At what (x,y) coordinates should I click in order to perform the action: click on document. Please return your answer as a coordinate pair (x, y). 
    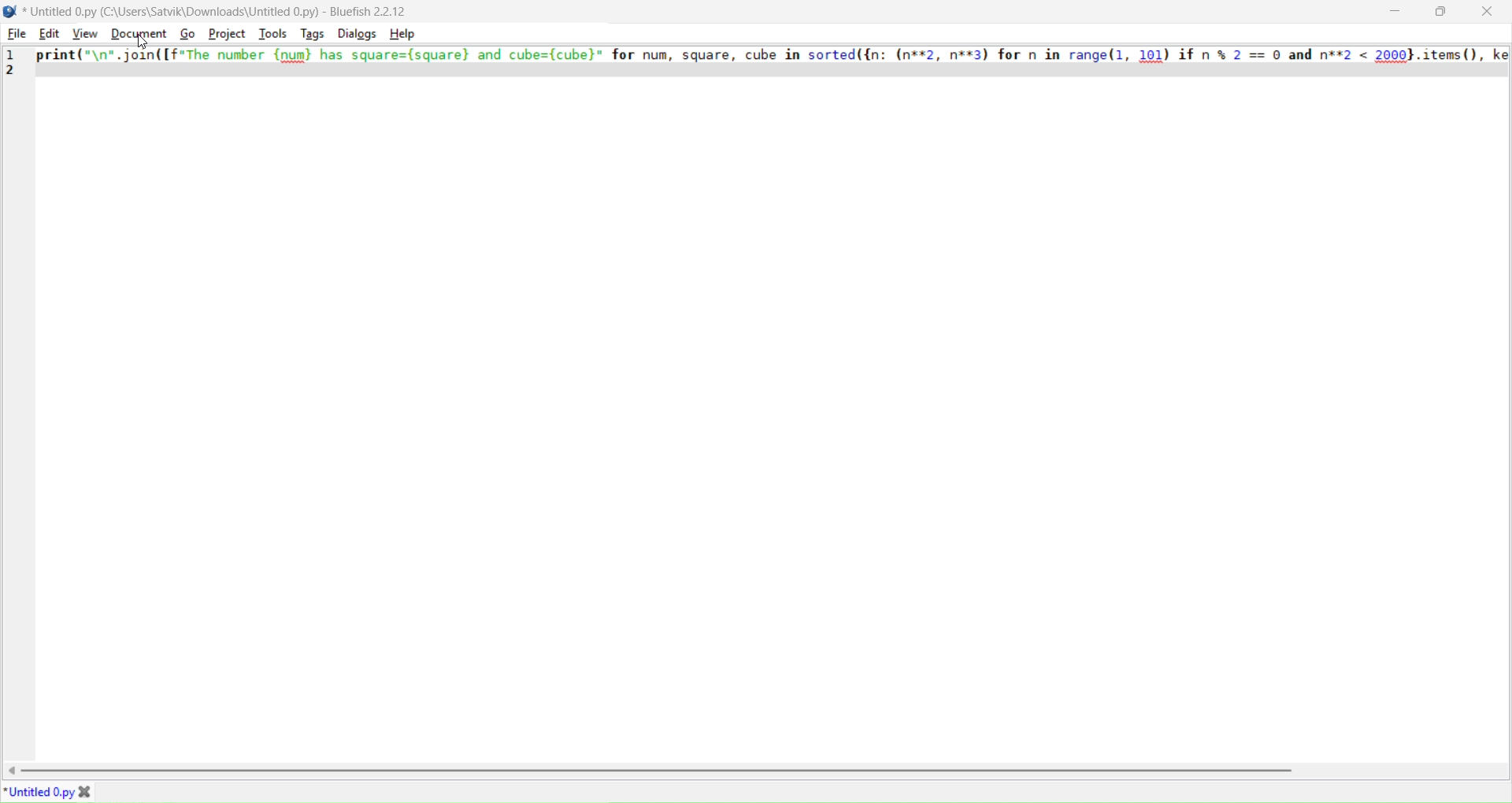
    Looking at the image, I should click on (135, 33).